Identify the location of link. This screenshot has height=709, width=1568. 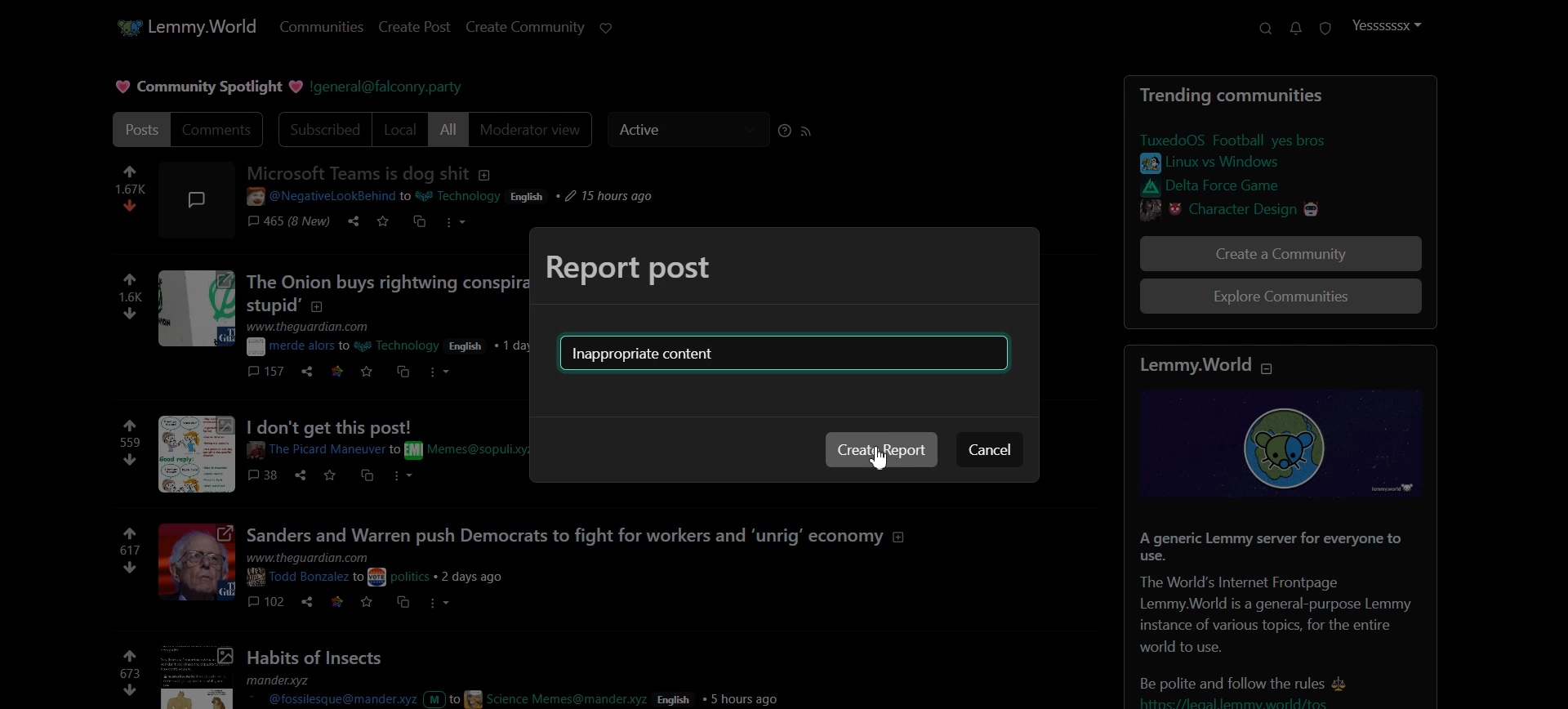
(338, 600).